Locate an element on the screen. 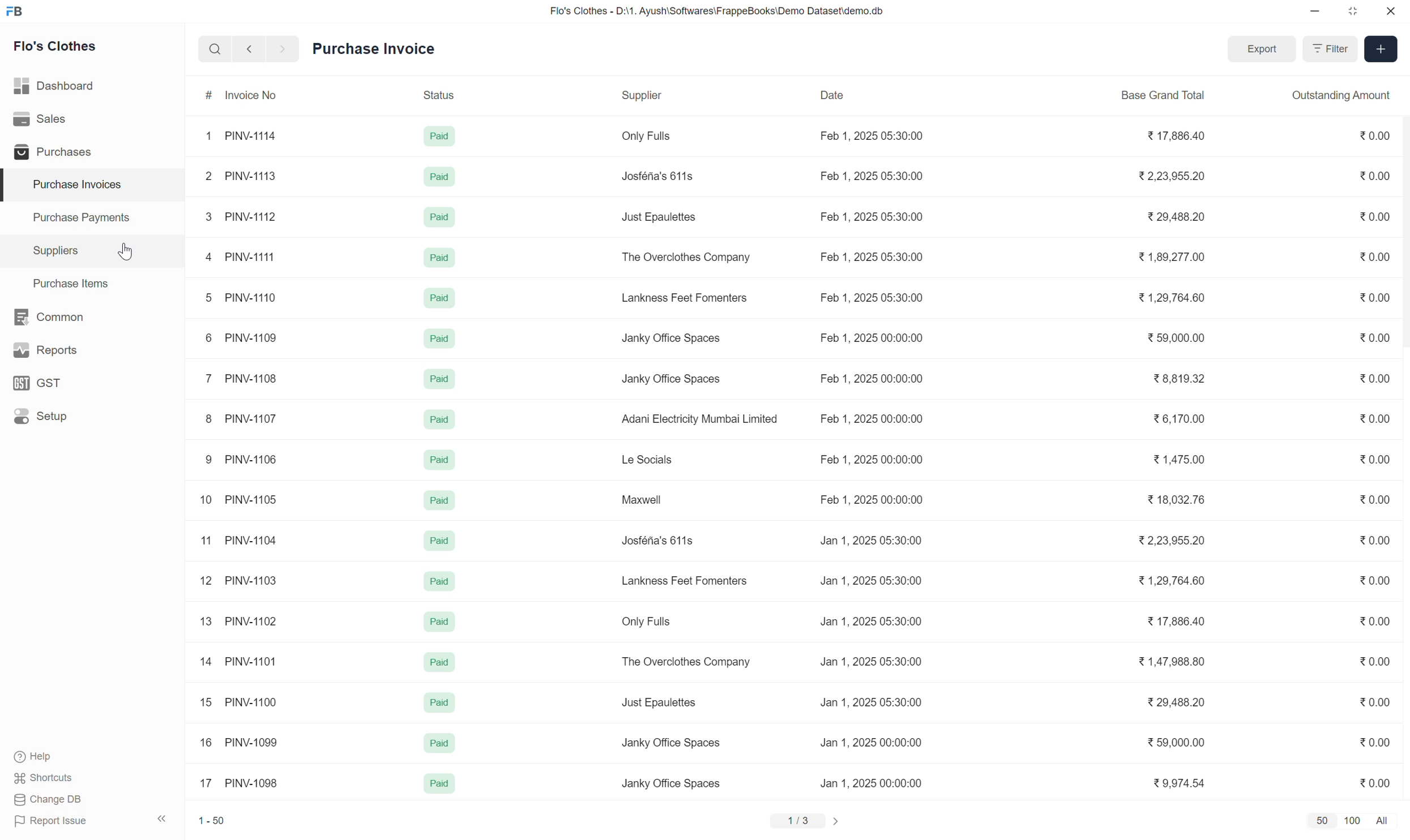  Paid is located at coordinates (439, 338).